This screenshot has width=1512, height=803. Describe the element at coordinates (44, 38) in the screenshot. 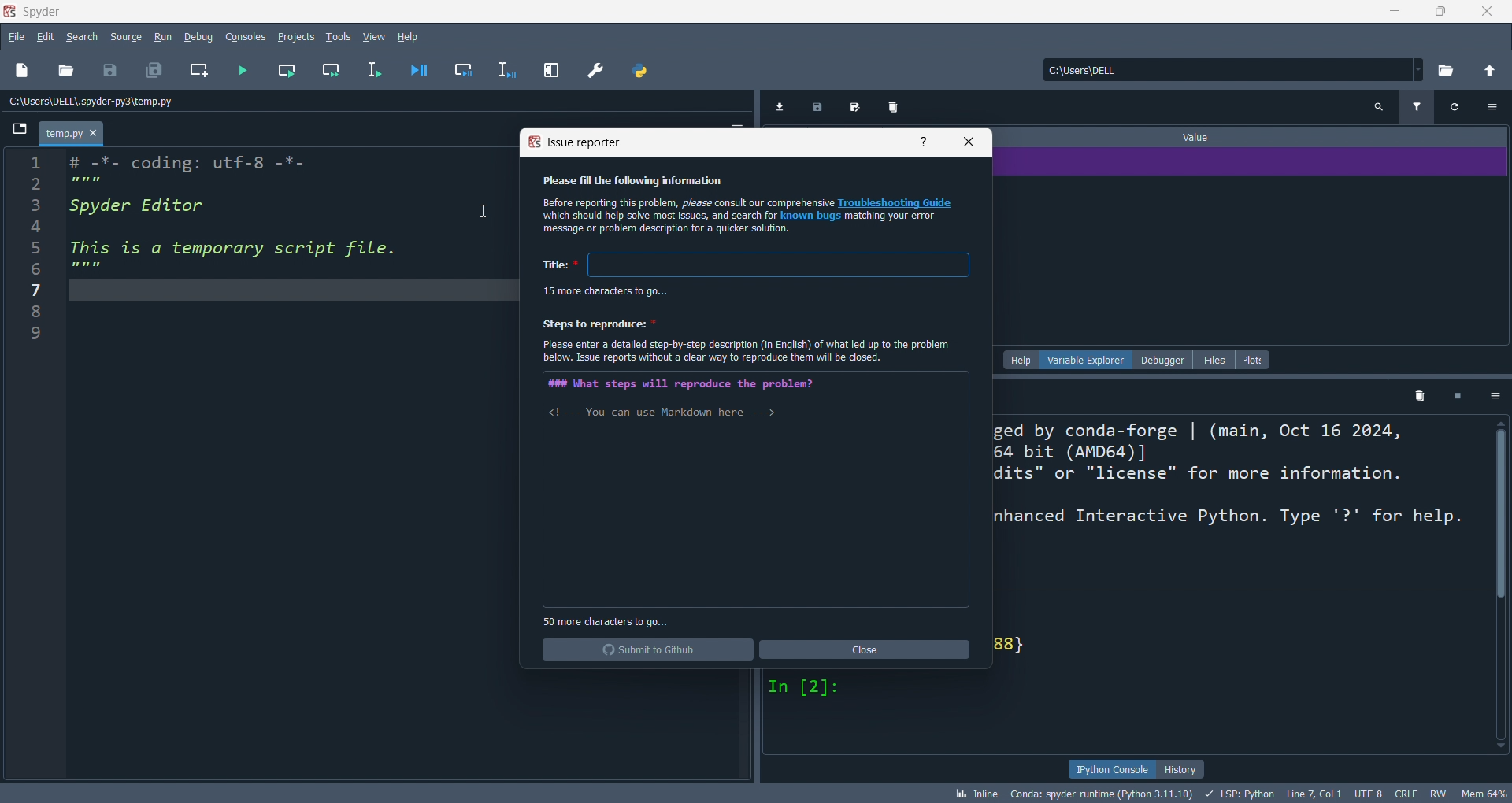

I see `edit` at that location.